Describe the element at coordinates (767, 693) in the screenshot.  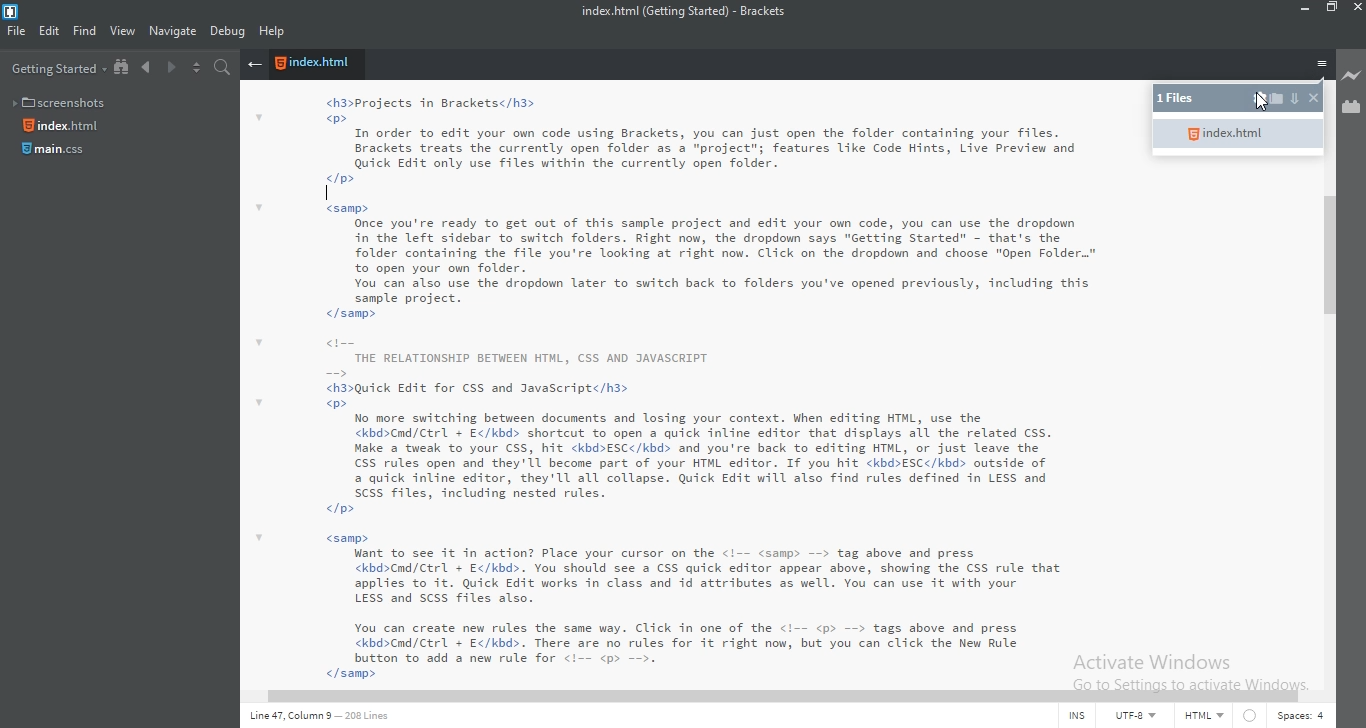
I see `scroll bar` at that location.